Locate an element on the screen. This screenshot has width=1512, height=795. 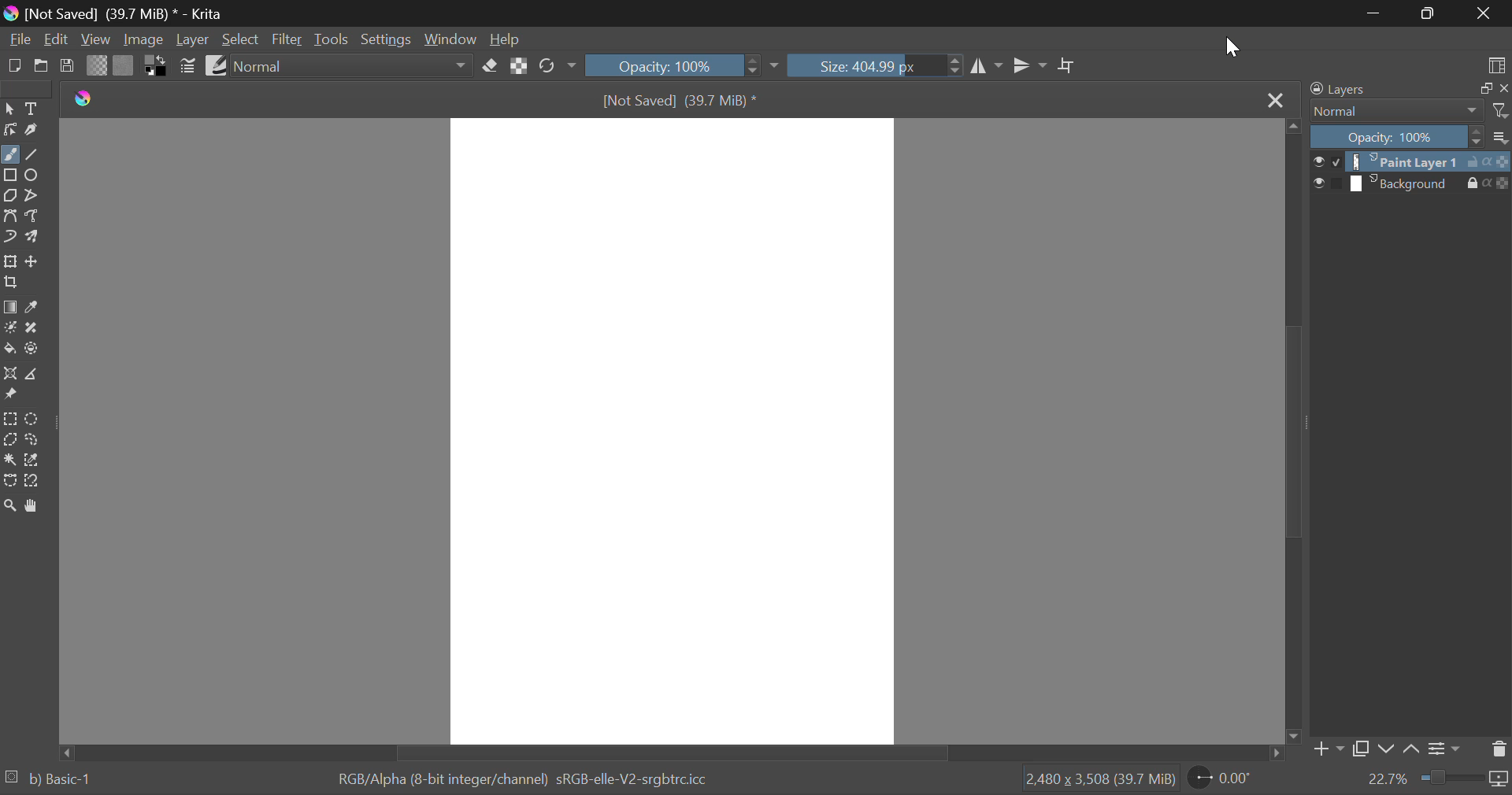
Document Dimensions is located at coordinates (1100, 782).